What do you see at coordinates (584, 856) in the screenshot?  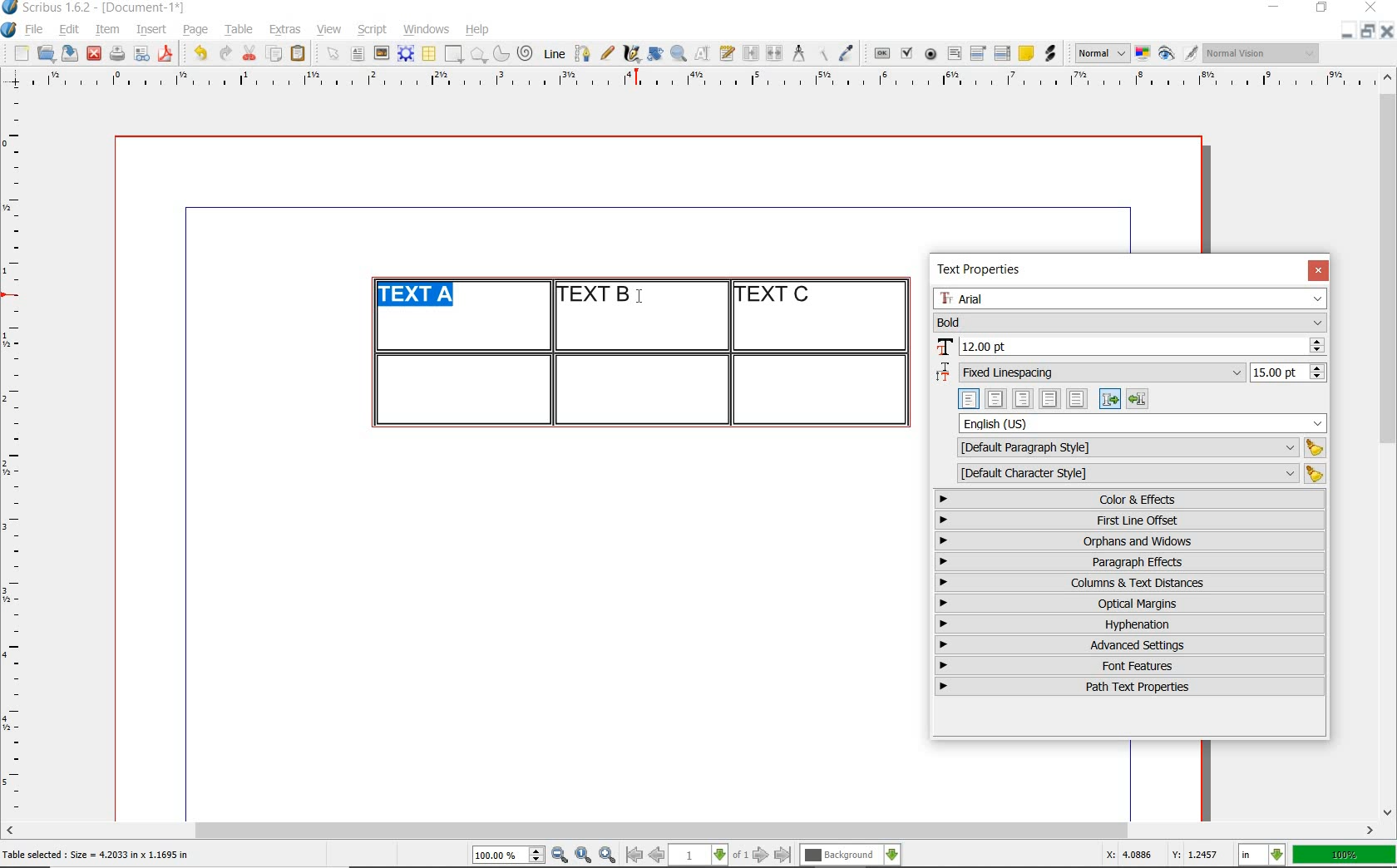 I see `zoom to` at bounding box center [584, 856].